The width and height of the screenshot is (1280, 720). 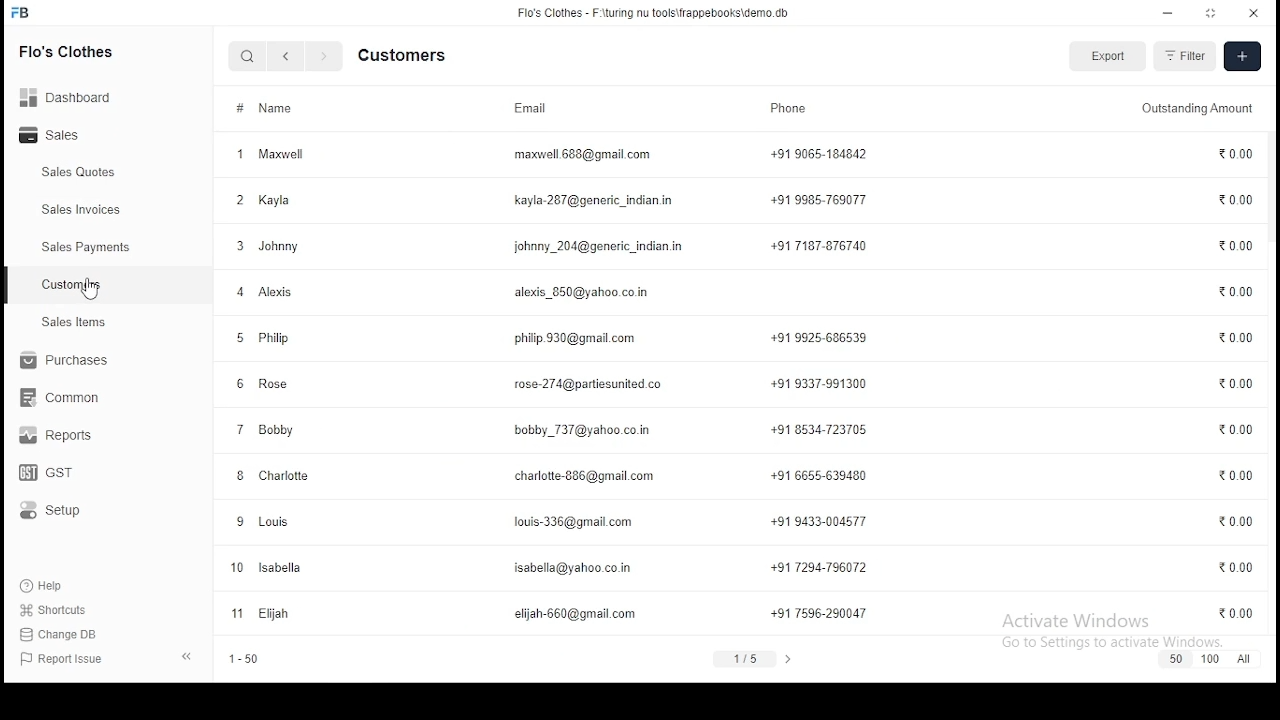 What do you see at coordinates (62, 635) in the screenshot?
I see `Change Db` at bounding box center [62, 635].